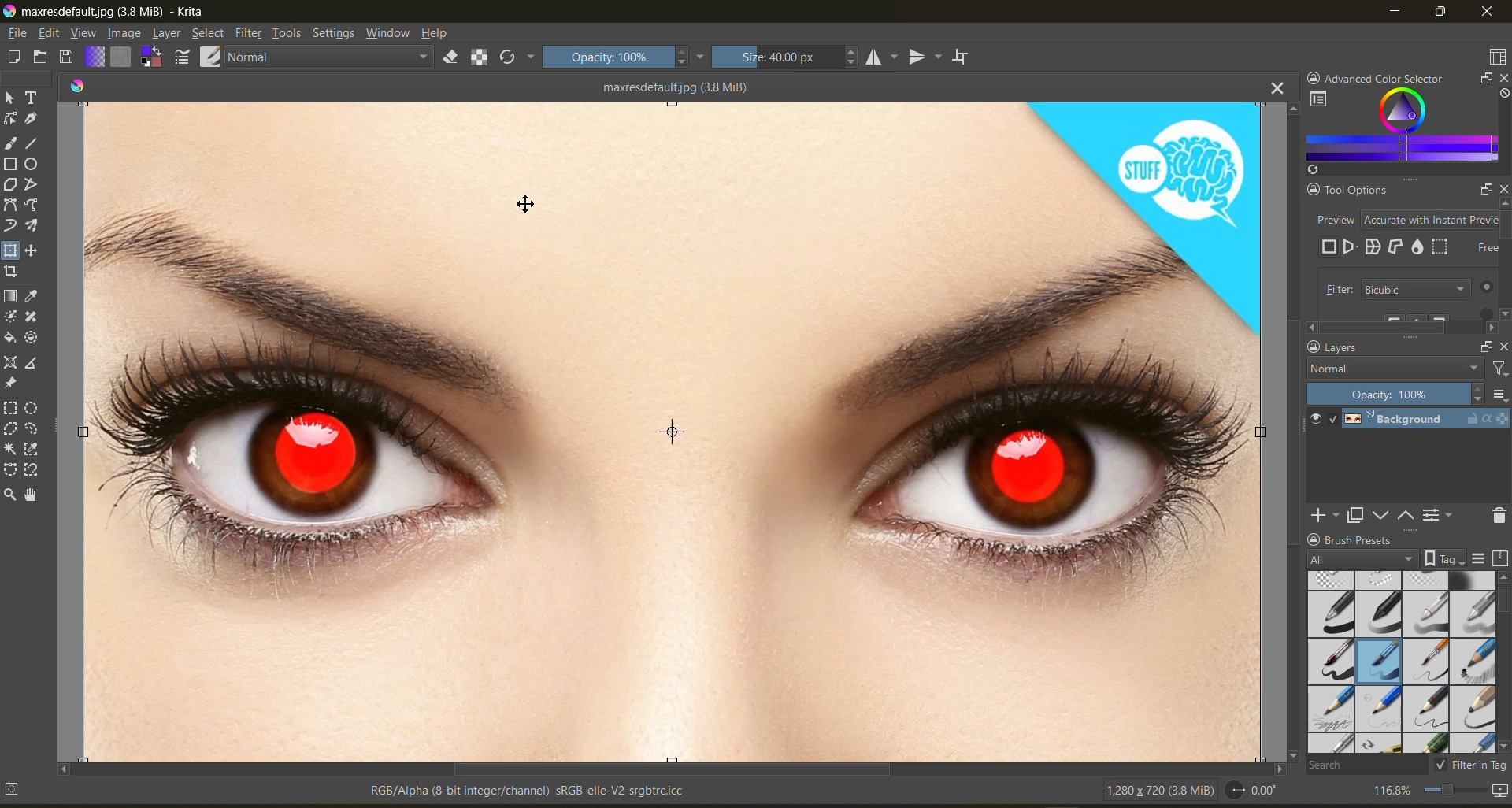 The height and width of the screenshot is (808, 1512). I want to click on zoom, so click(1459, 788).